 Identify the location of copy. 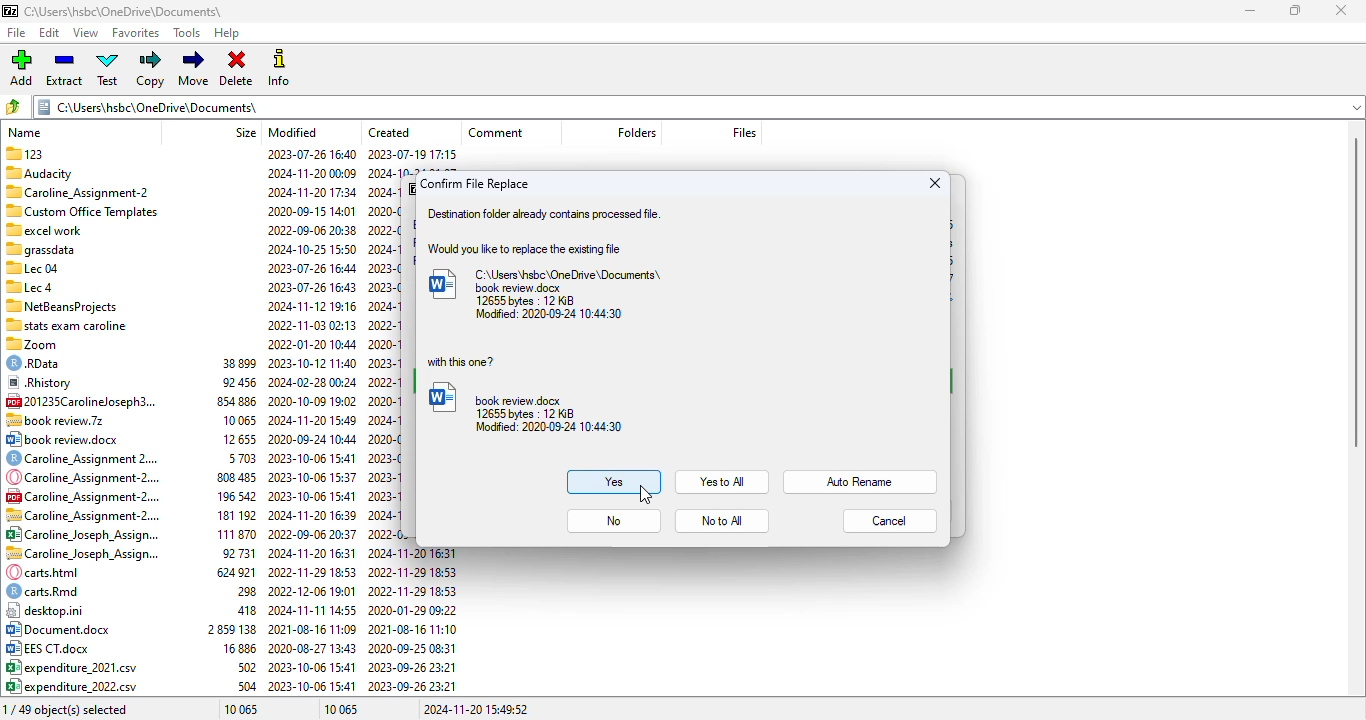
(149, 69).